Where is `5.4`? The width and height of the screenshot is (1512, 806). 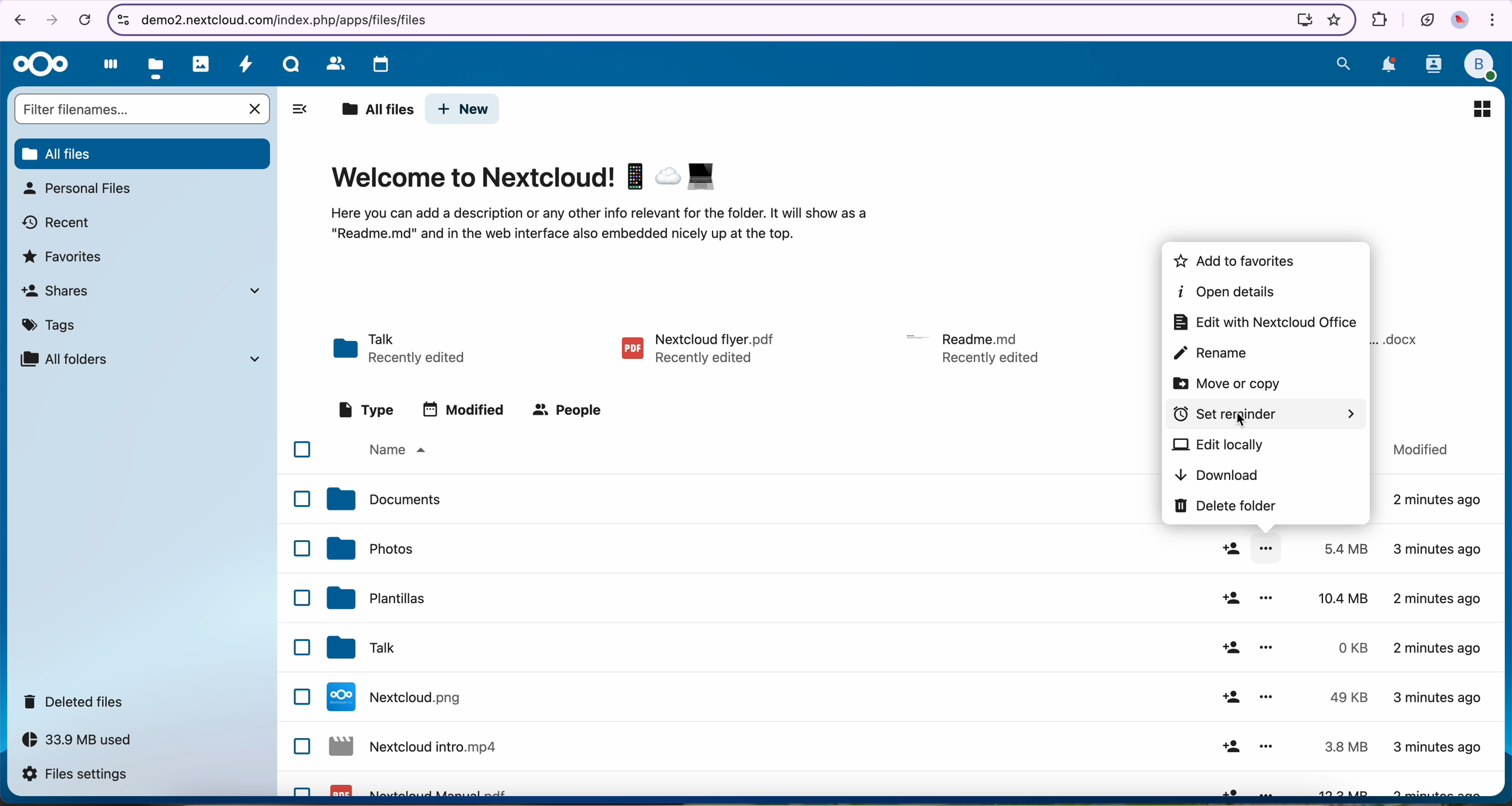
5.4 is located at coordinates (1351, 548).